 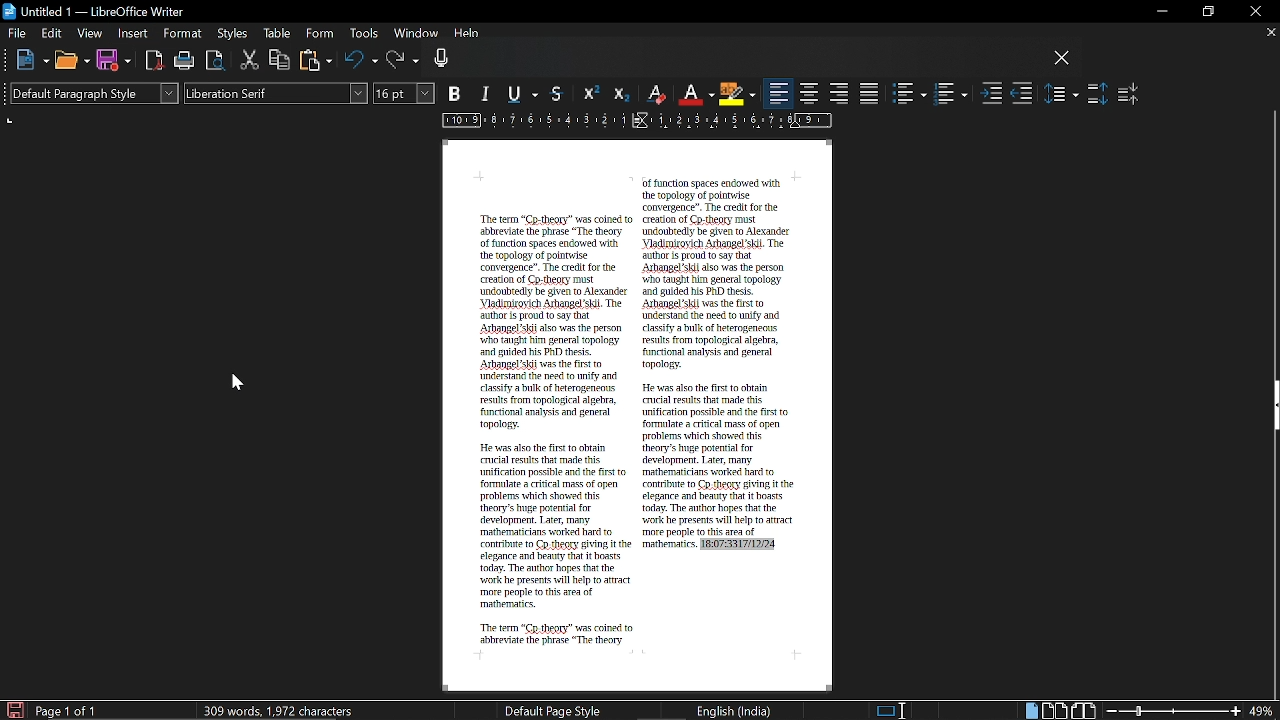 I want to click on strikethrough, so click(x=559, y=93).